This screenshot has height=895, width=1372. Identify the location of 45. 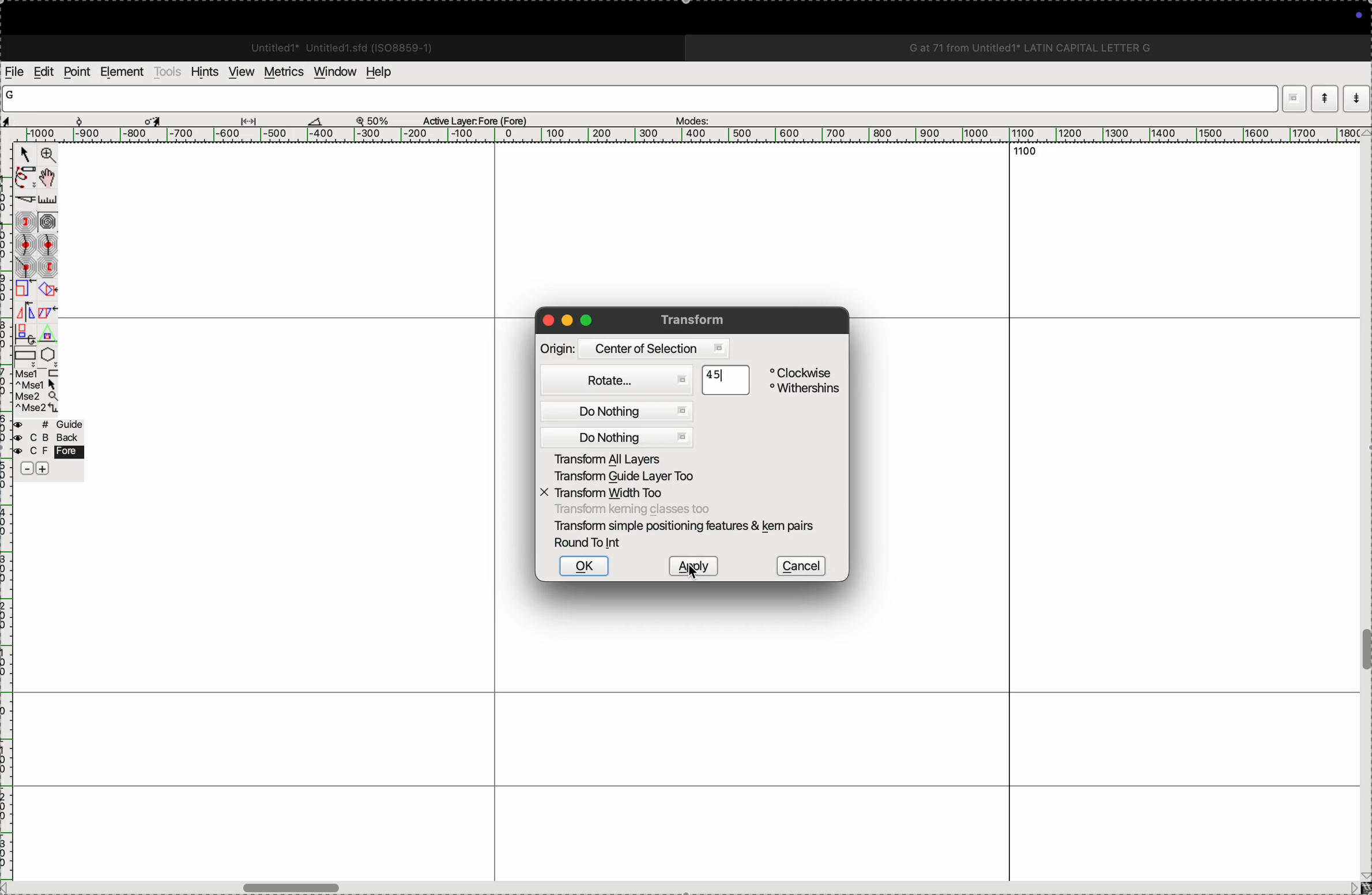
(726, 382).